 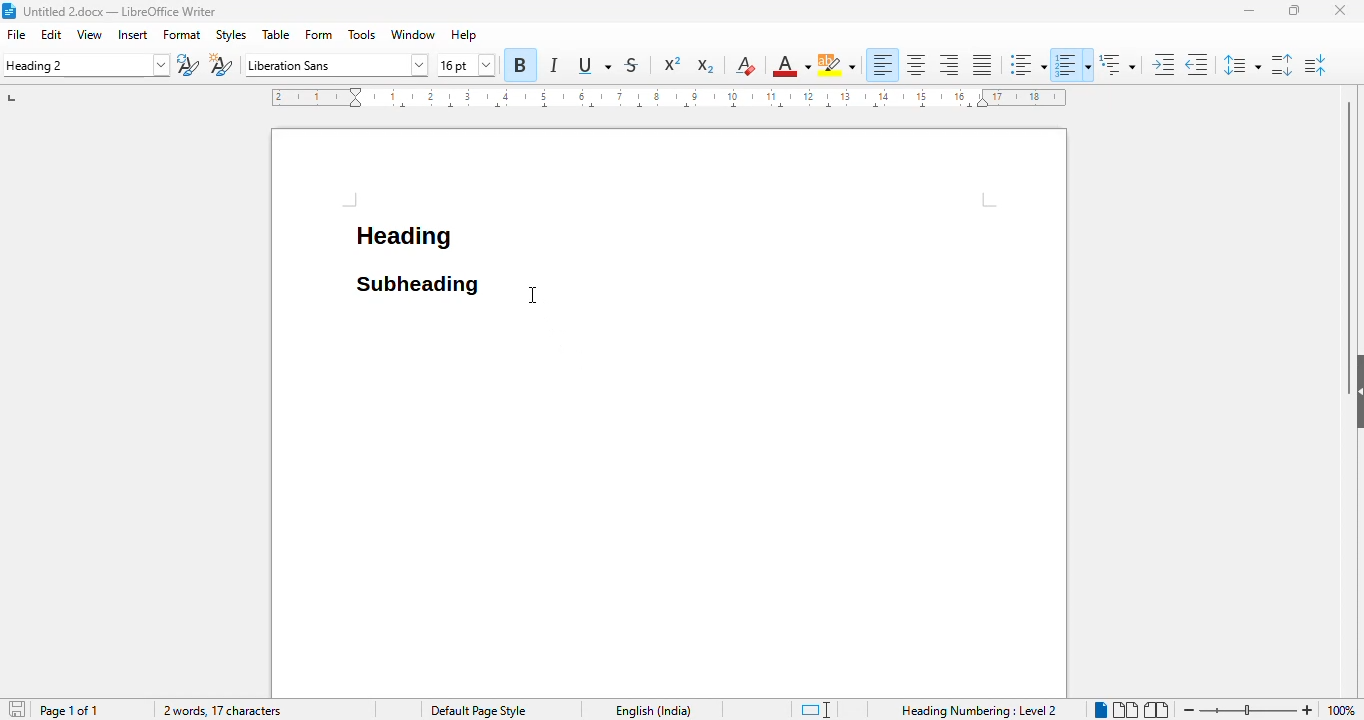 I want to click on help, so click(x=465, y=35).